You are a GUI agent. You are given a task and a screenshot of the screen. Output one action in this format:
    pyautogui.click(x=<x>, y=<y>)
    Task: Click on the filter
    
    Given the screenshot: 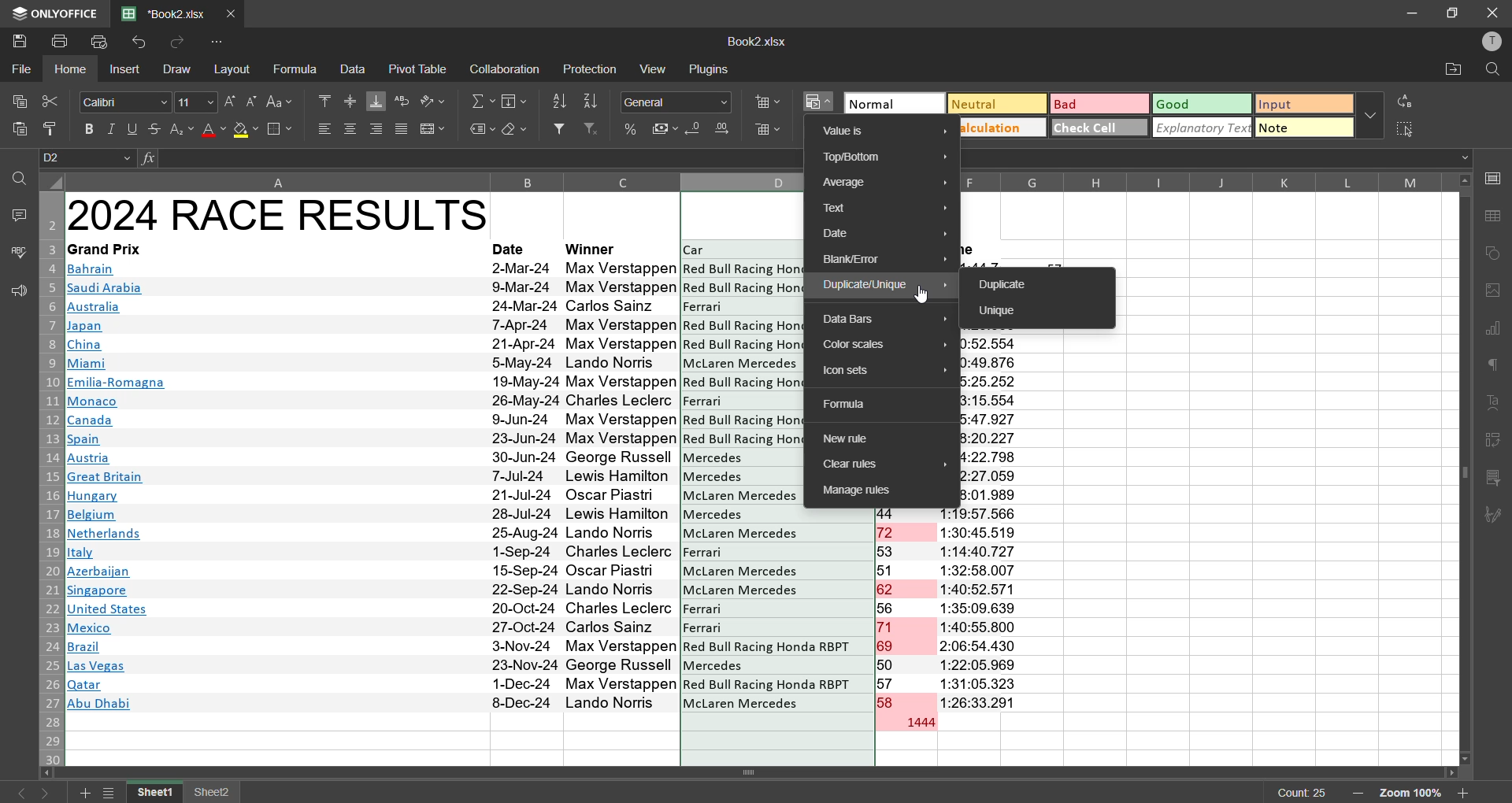 What is the action you would take?
    pyautogui.click(x=559, y=128)
    